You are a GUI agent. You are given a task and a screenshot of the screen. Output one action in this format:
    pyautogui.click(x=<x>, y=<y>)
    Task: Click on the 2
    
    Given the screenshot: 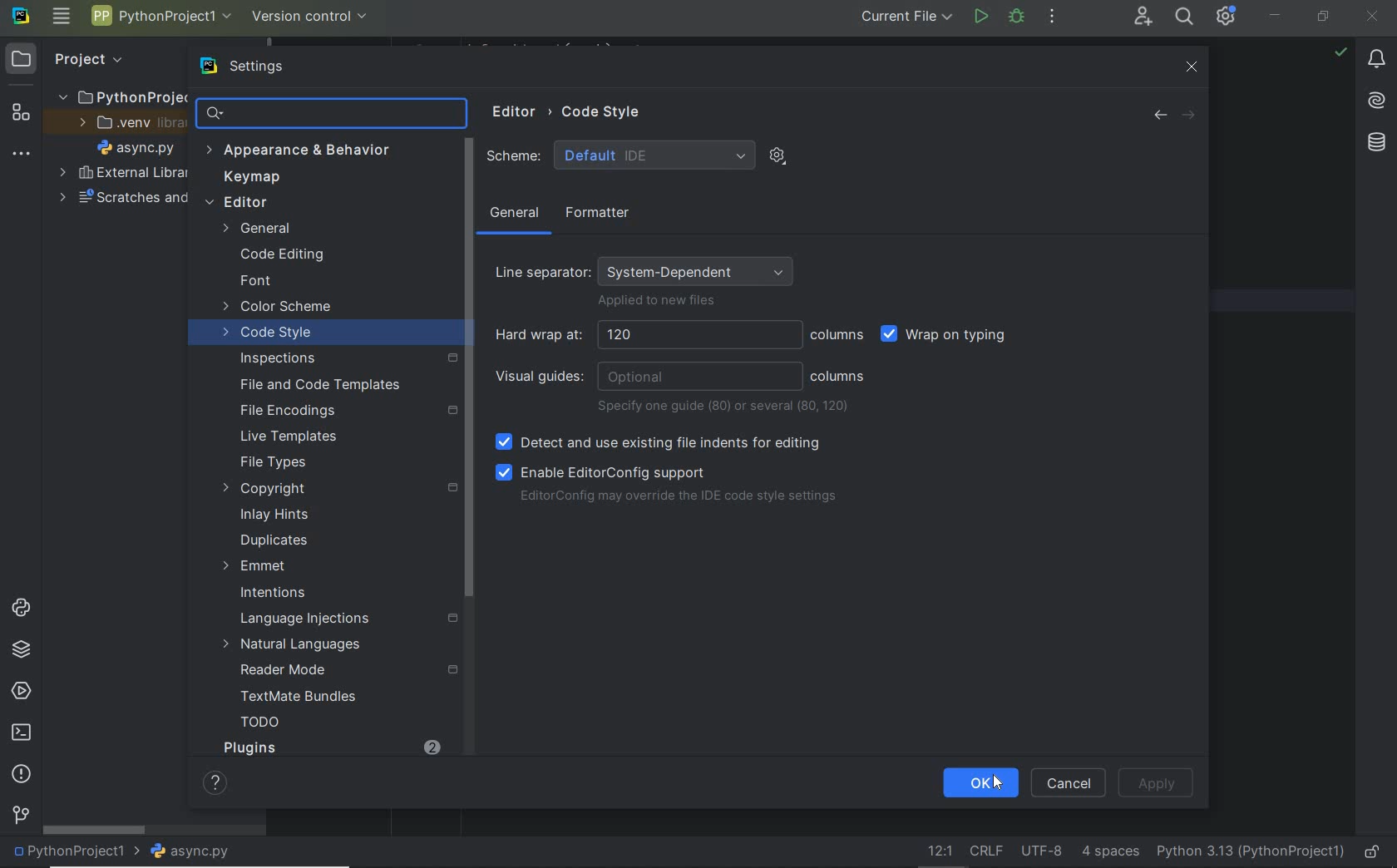 What is the action you would take?
    pyautogui.click(x=432, y=747)
    